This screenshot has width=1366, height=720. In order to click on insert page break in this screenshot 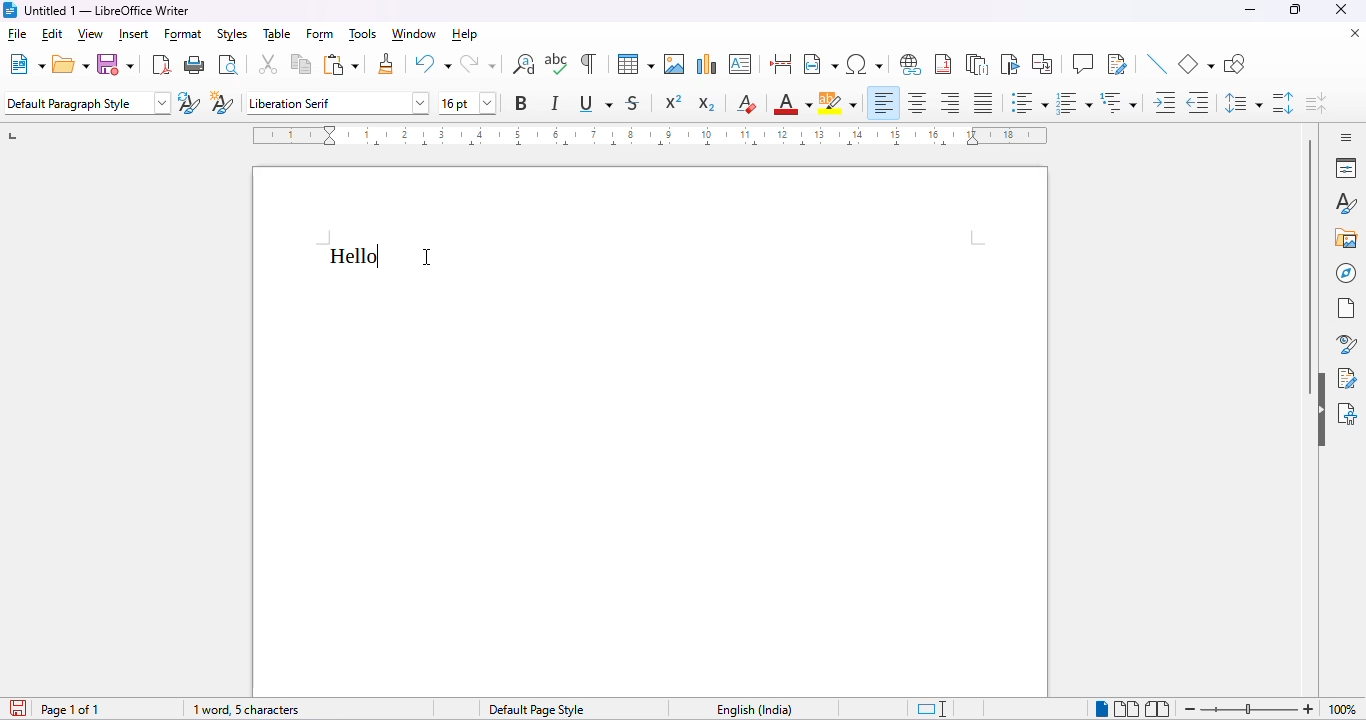, I will do `click(782, 64)`.